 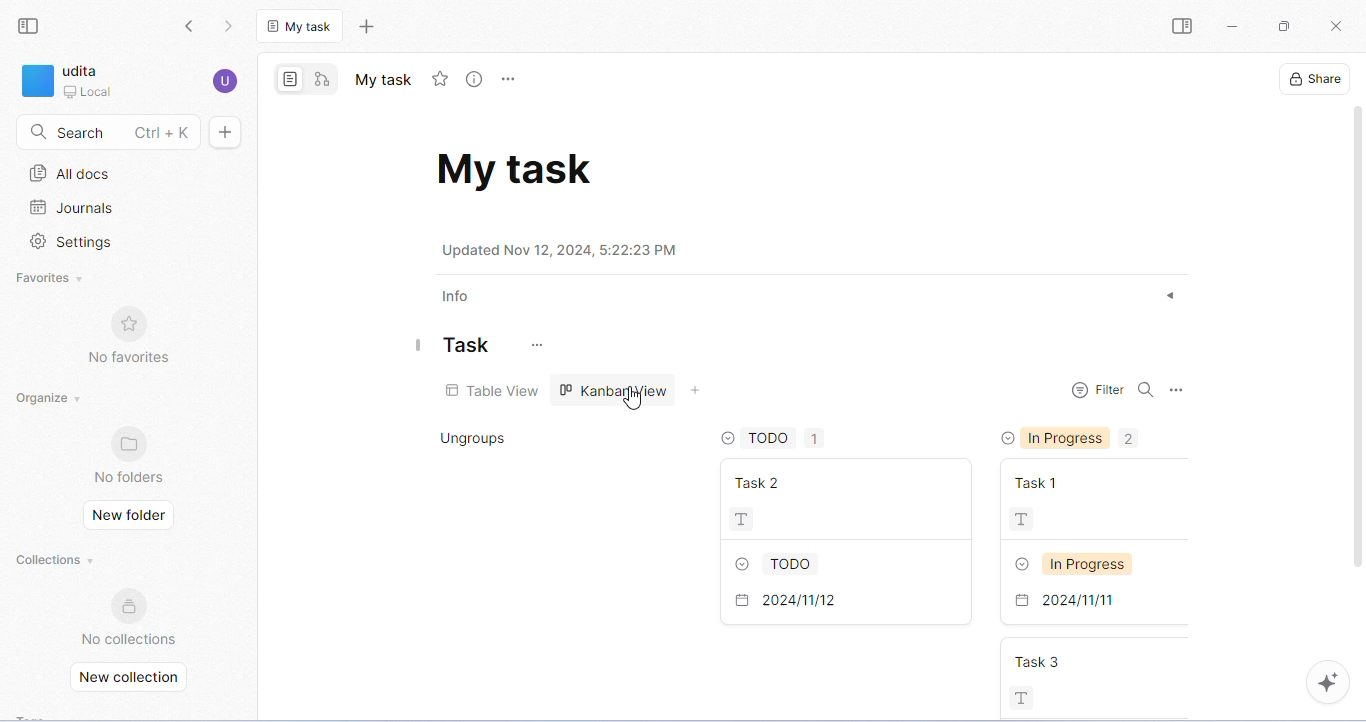 What do you see at coordinates (478, 440) in the screenshot?
I see `ungroups` at bounding box center [478, 440].